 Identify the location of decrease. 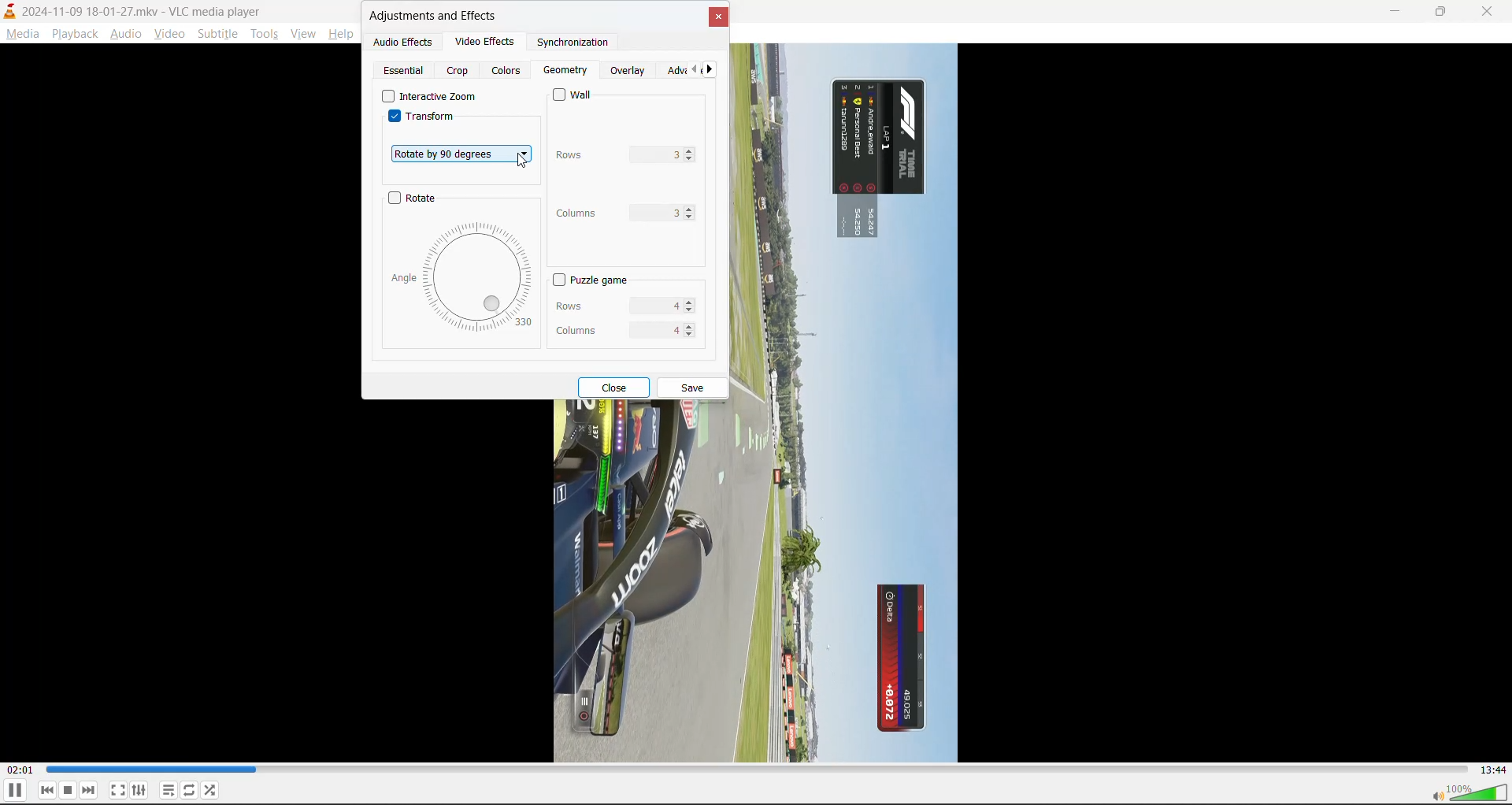
(692, 160).